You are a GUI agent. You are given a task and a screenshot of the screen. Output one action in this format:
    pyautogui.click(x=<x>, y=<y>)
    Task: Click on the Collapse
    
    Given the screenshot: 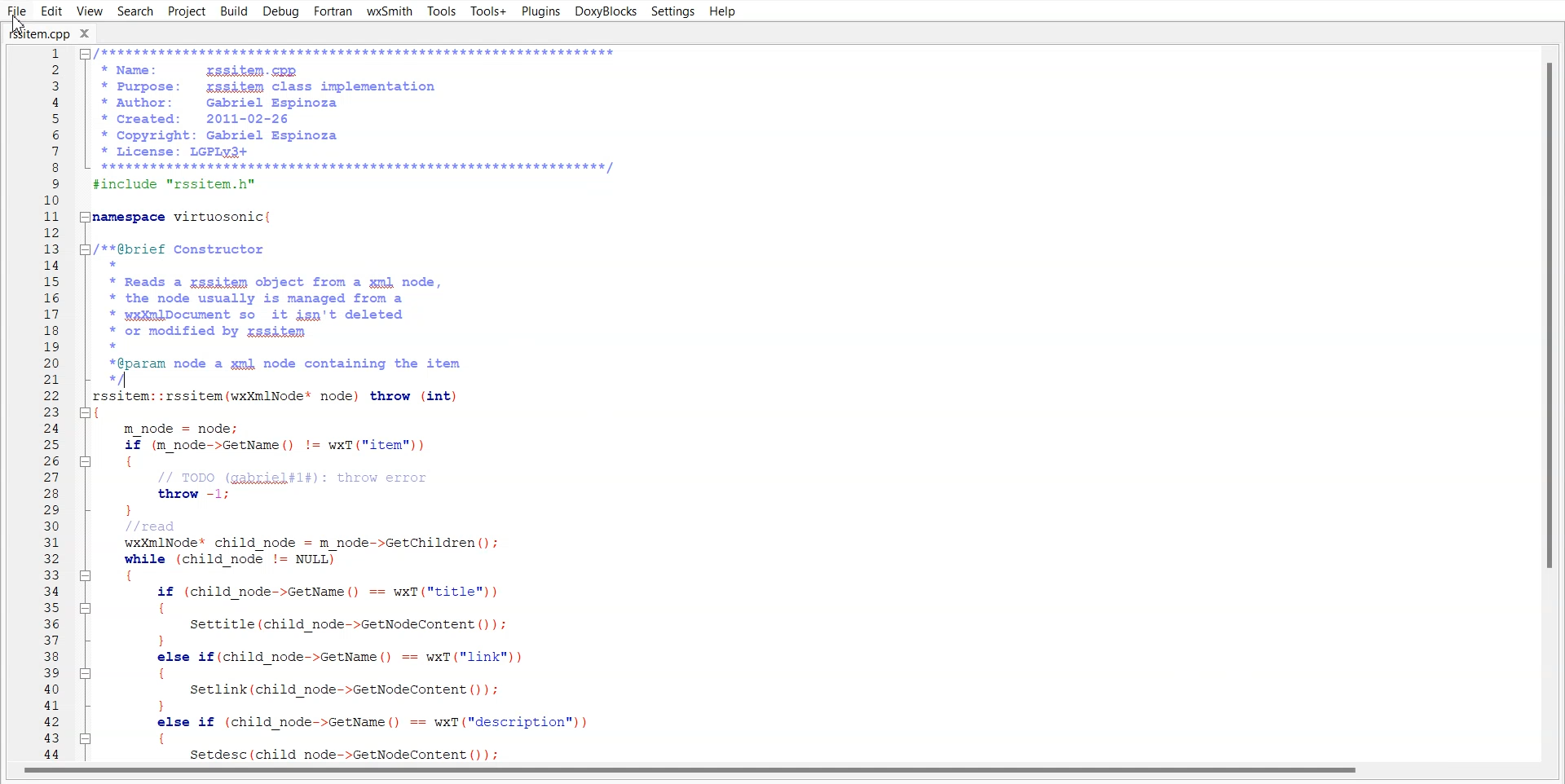 What is the action you would take?
    pyautogui.click(x=86, y=461)
    